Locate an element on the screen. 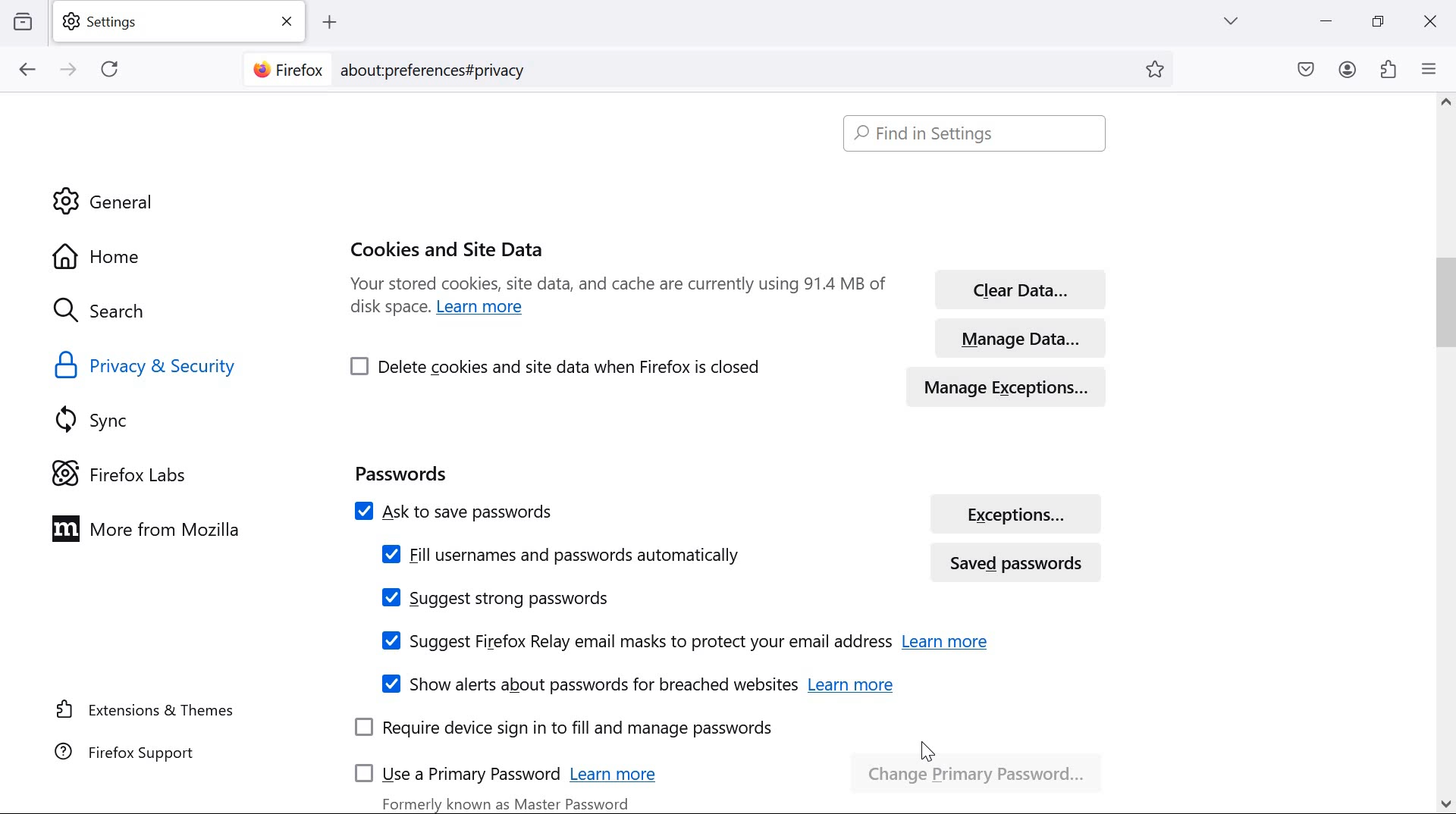 This screenshot has height=814, width=1456. view recent browsing across windows is located at coordinates (23, 20).